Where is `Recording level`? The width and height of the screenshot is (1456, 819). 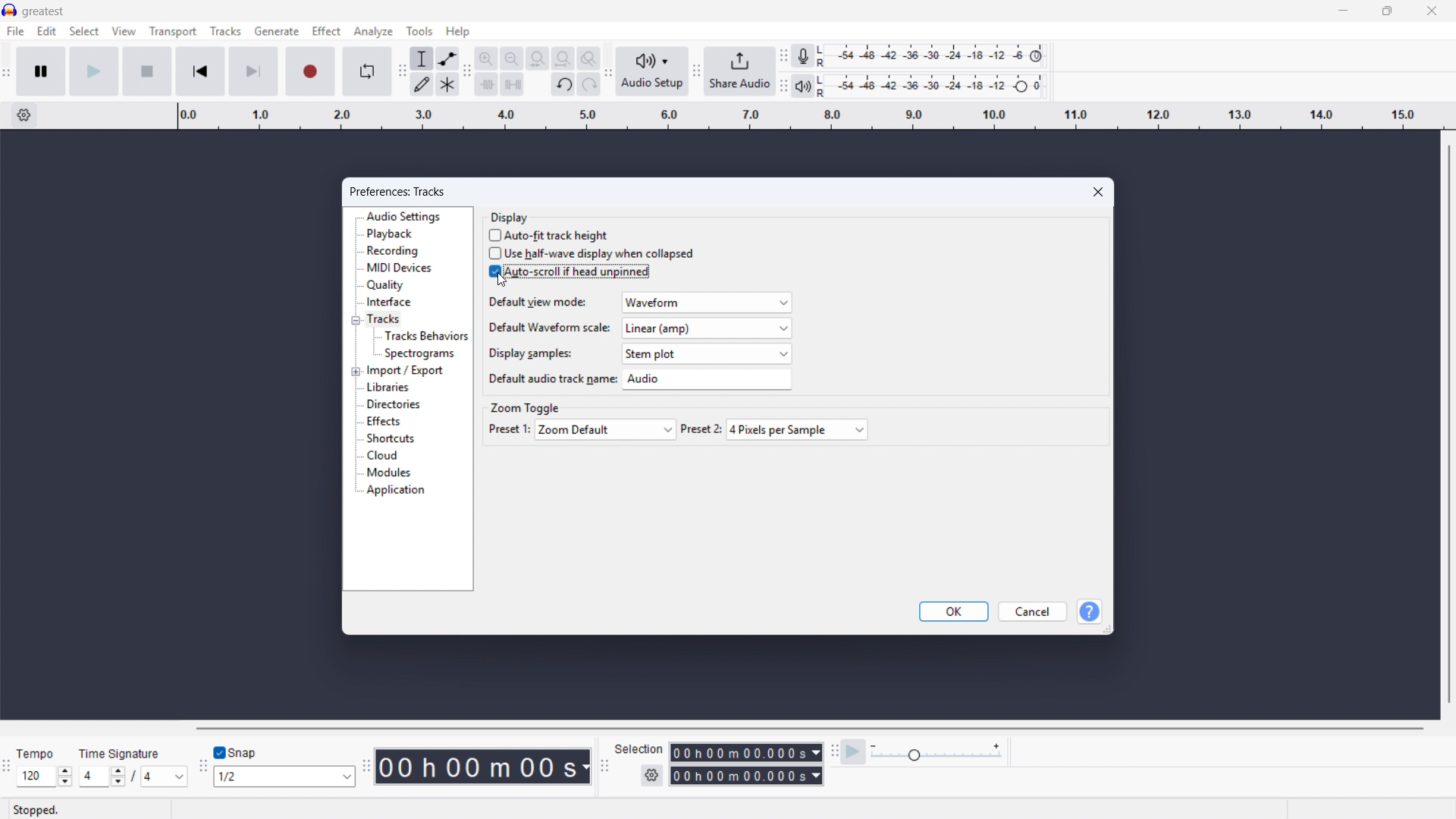 Recording level is located at coordinates (935, 56).